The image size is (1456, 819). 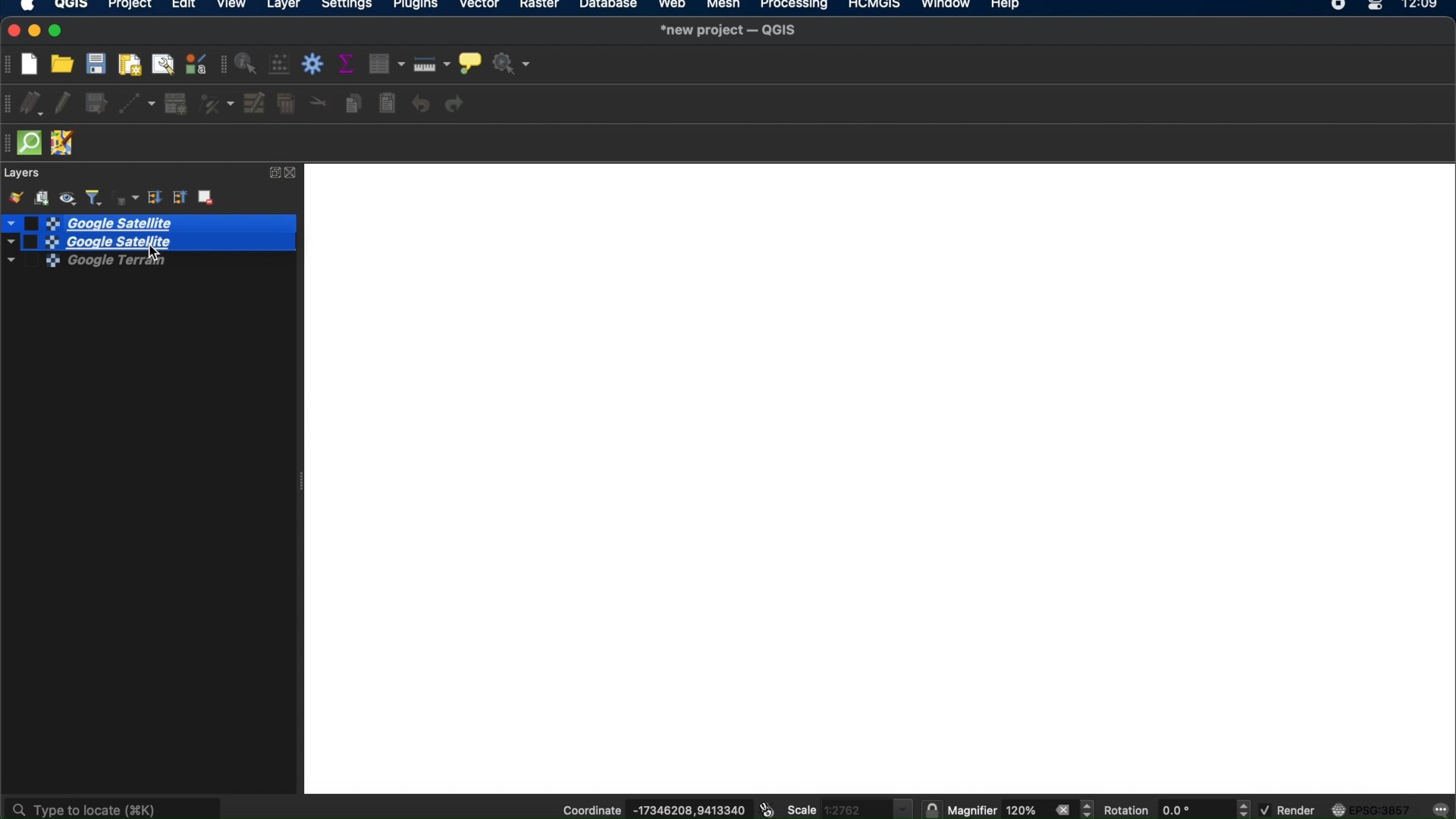 I want to click on filter legend, so click(x=95, y=196).